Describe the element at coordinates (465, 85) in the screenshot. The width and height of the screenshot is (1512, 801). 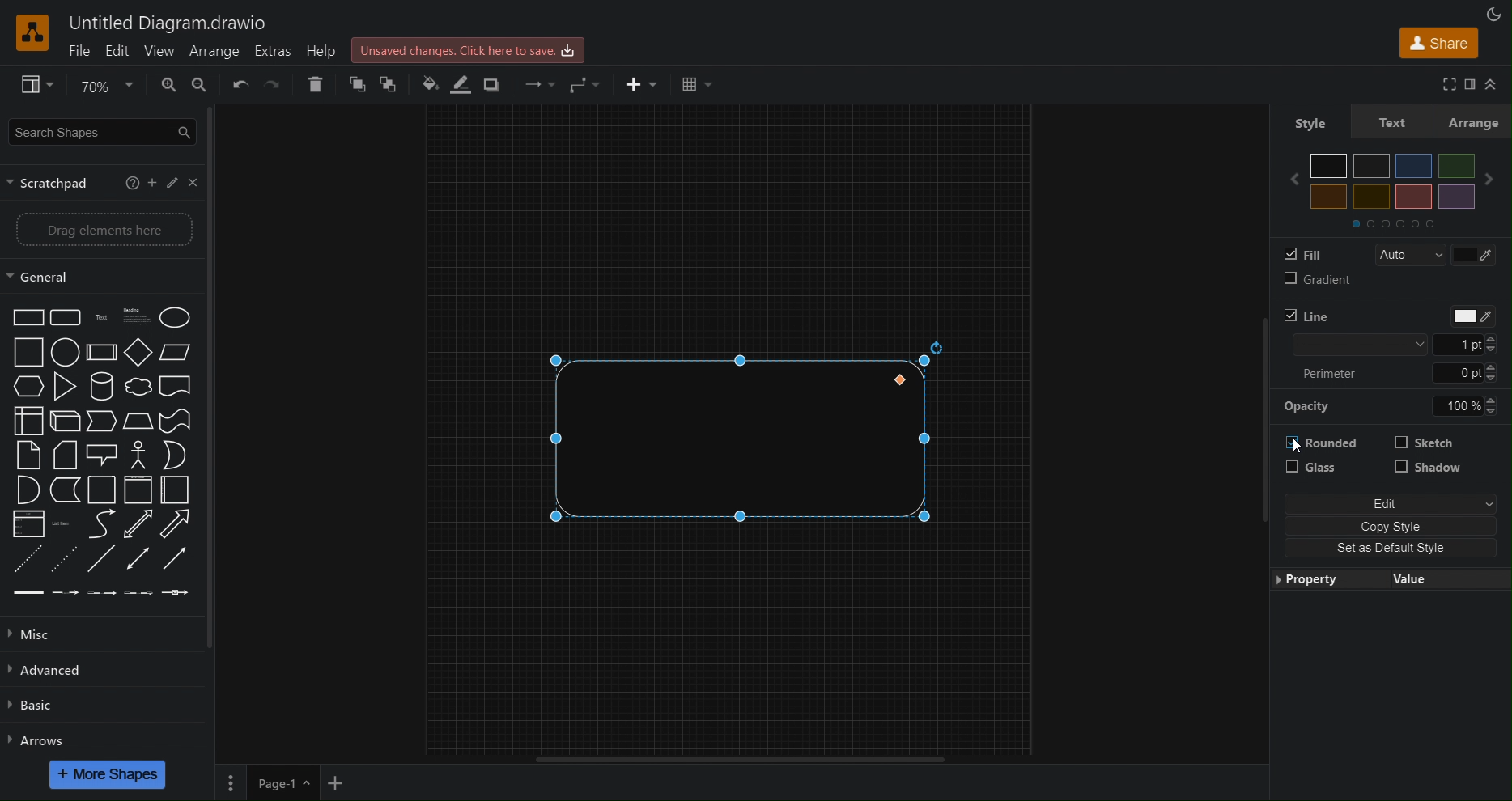
I see `Line Color` at that location.